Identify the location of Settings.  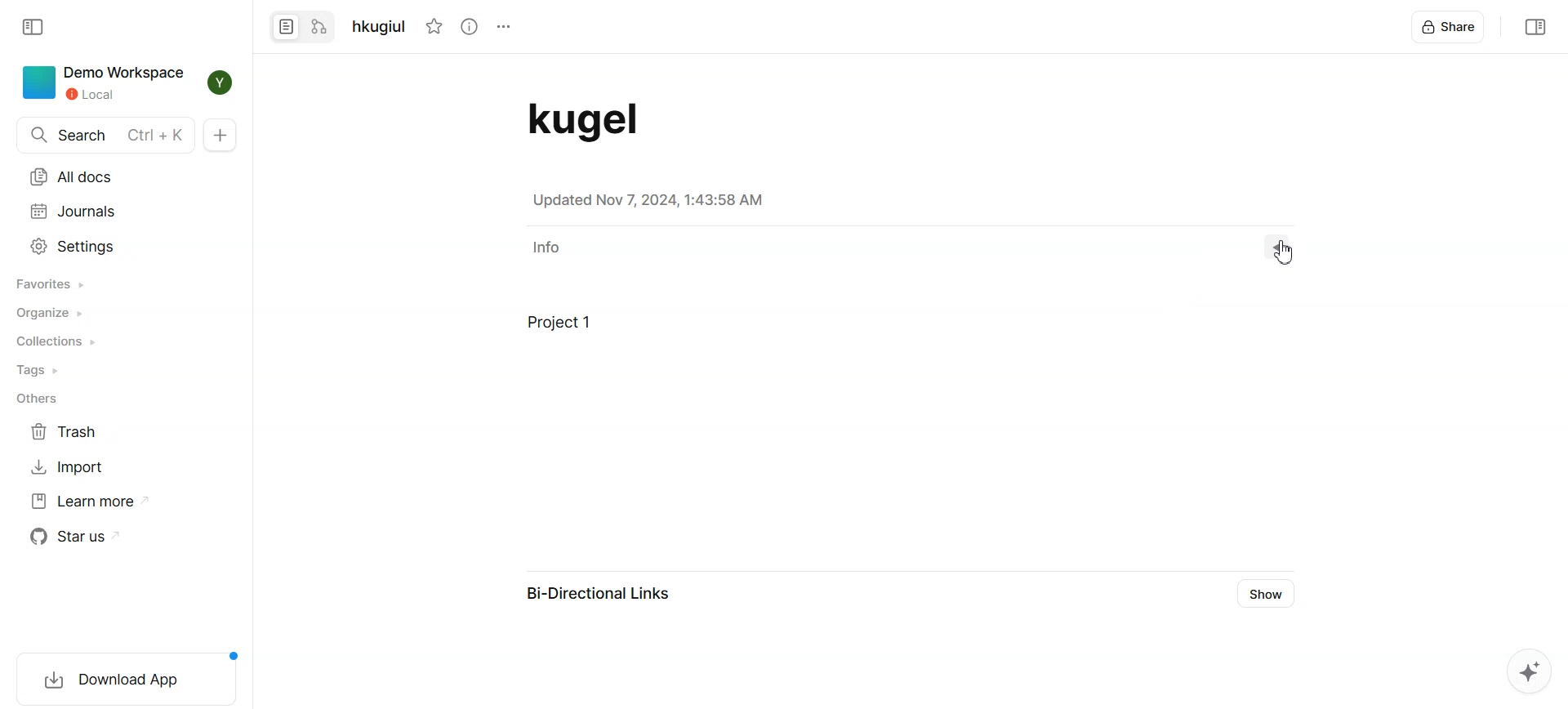
(74, 246).